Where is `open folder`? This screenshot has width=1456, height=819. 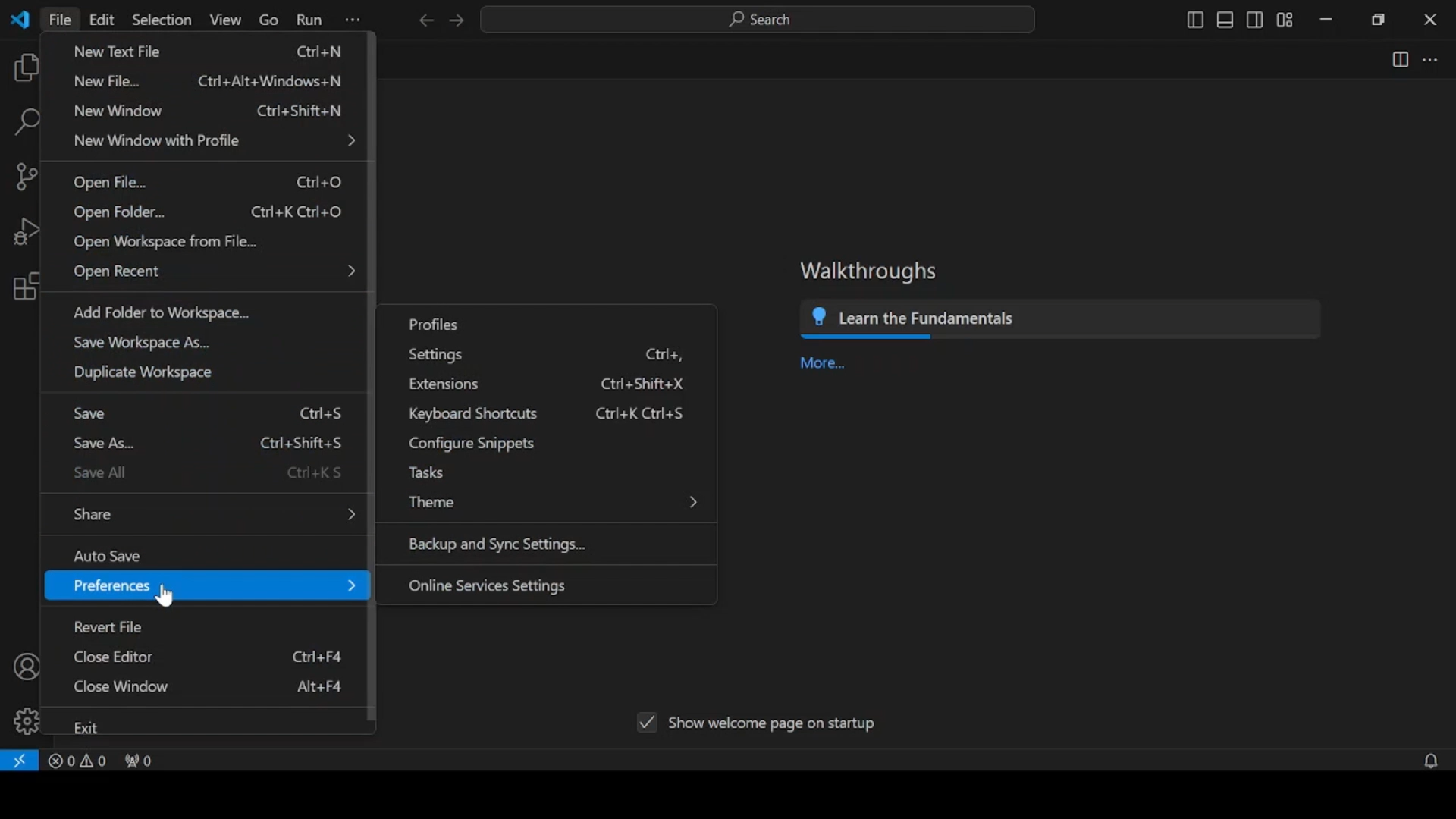 open folder is located at coordinates (121, 212).